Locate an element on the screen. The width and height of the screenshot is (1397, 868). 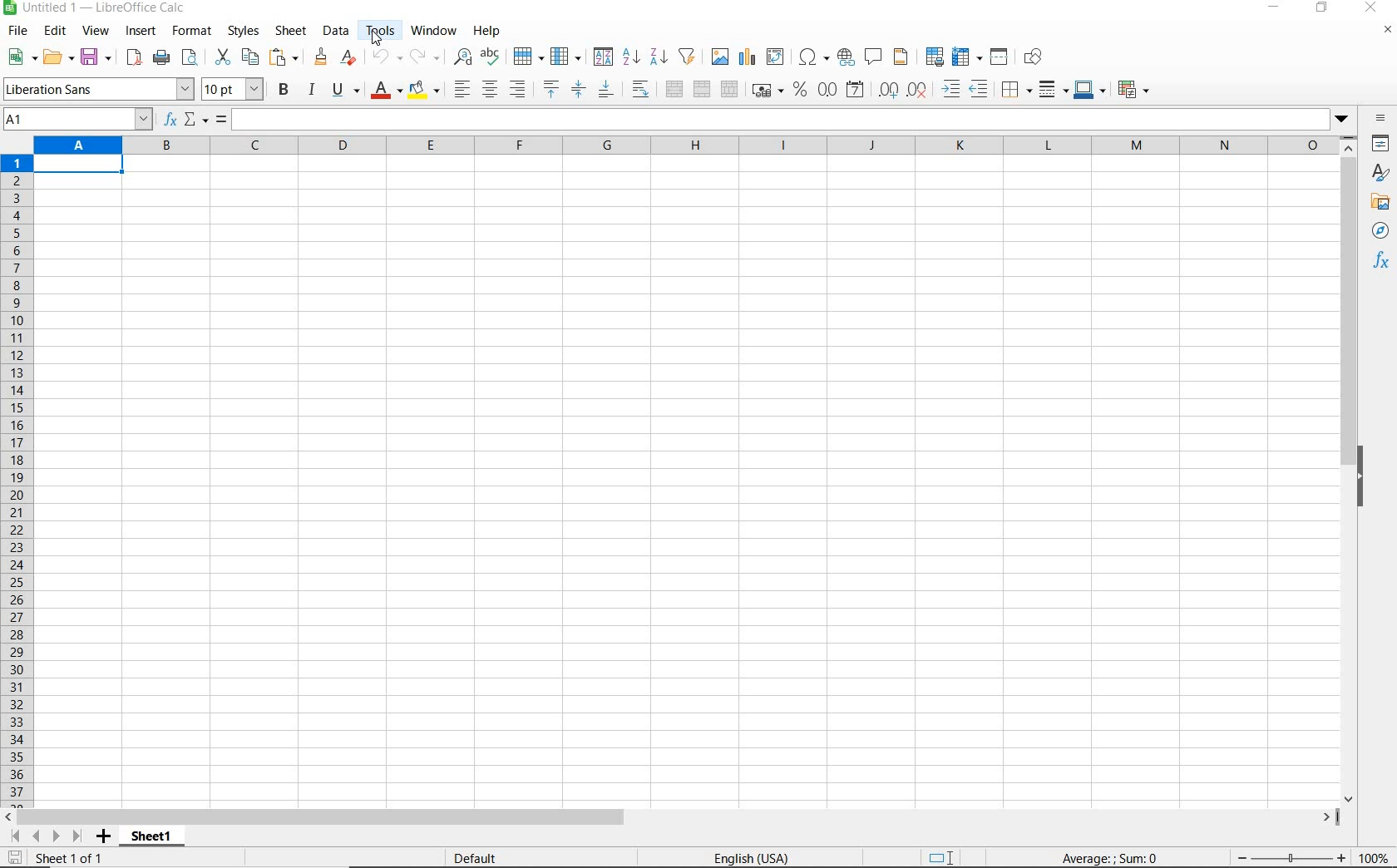
format as percent is located at coordinates (800, 89).